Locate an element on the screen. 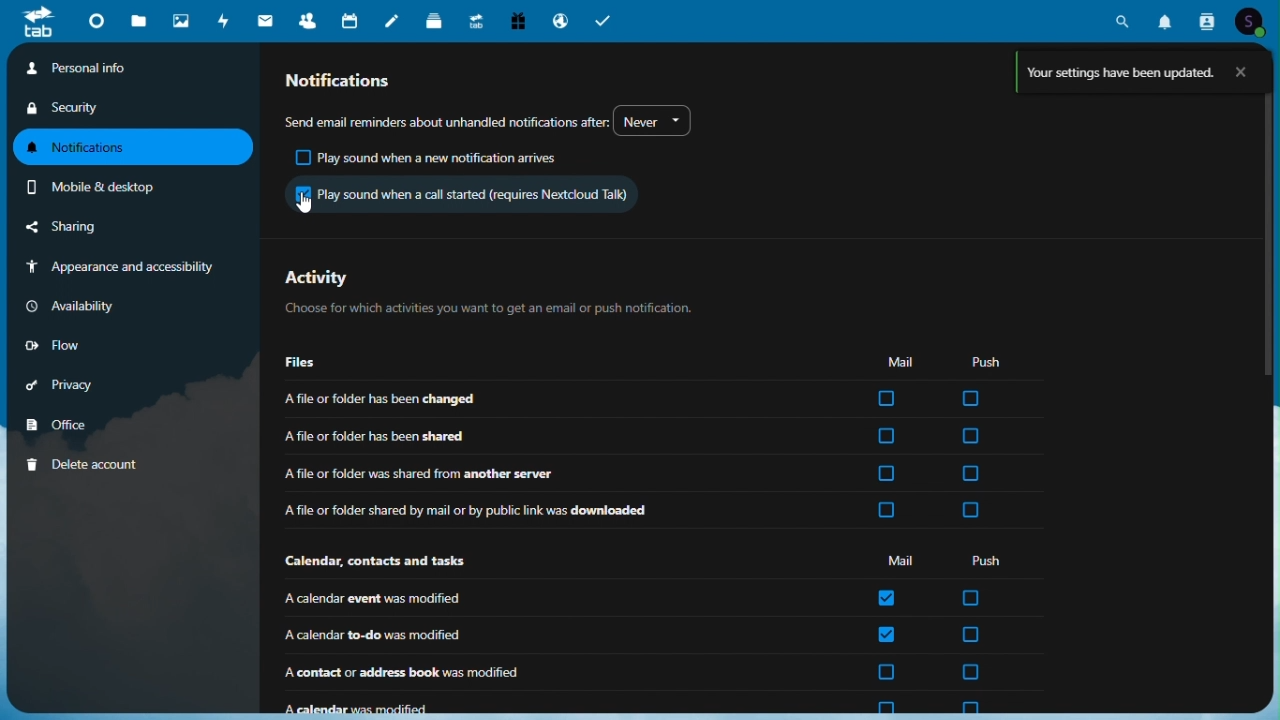 This screenshot has height=720, width=1280. A file or folder has been changed  is located at coordinates (533, 400).